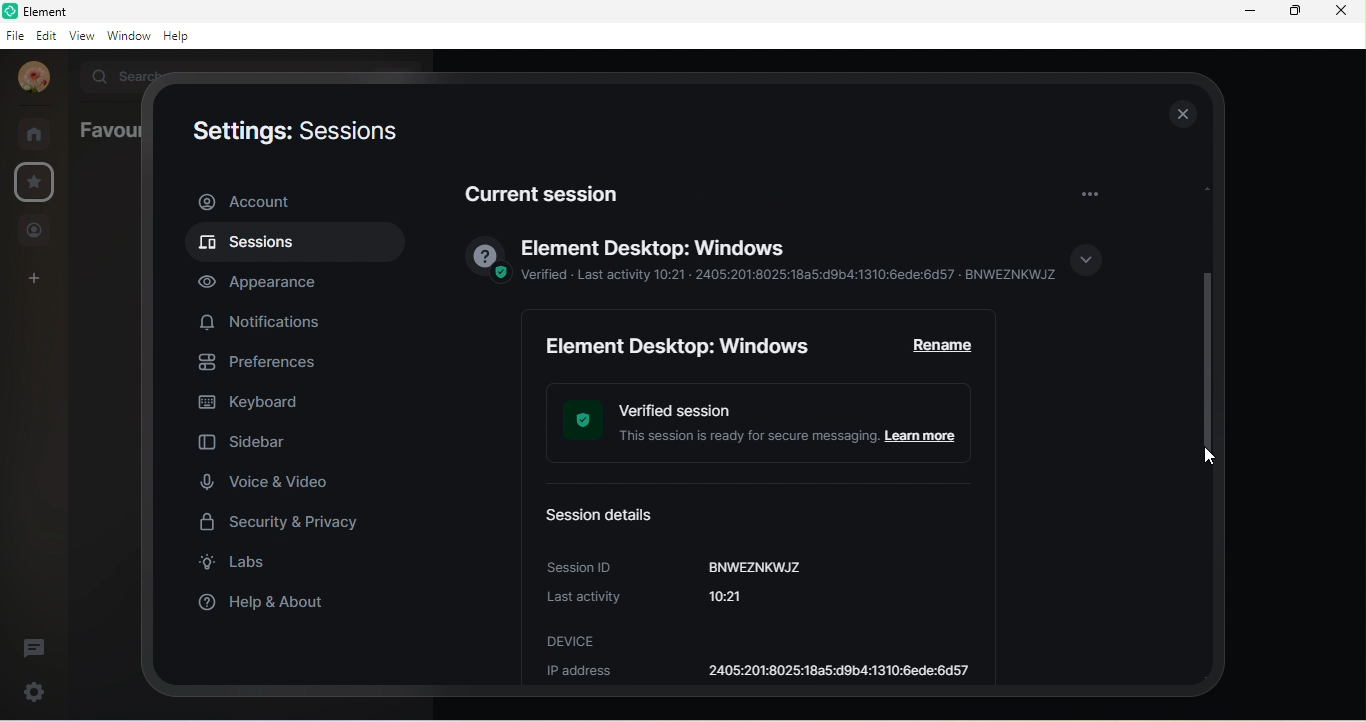 The image size is (1366, 722). What do you see at coordinates (1089, 192) in the screenshot?
I see `options` at bounding box center [1089, 192].